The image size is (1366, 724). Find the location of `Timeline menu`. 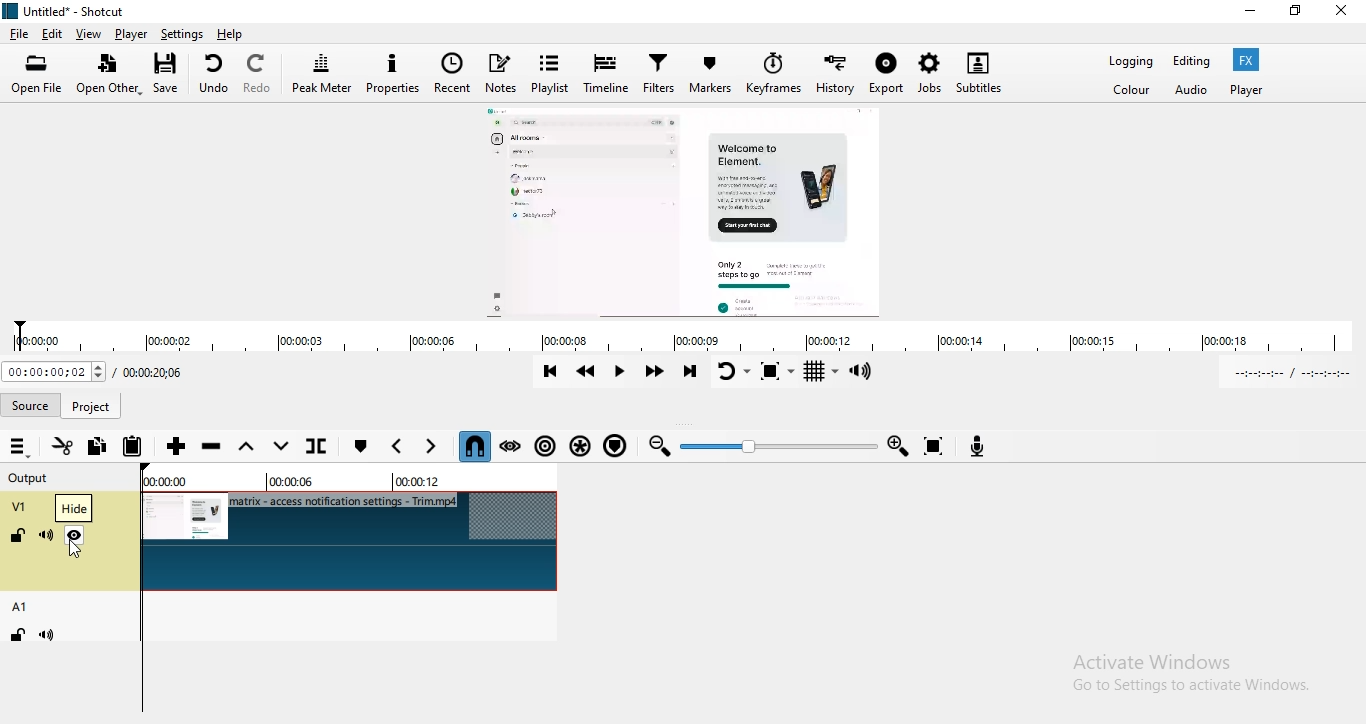

Timeline menu is located at coordinates (19, 447).